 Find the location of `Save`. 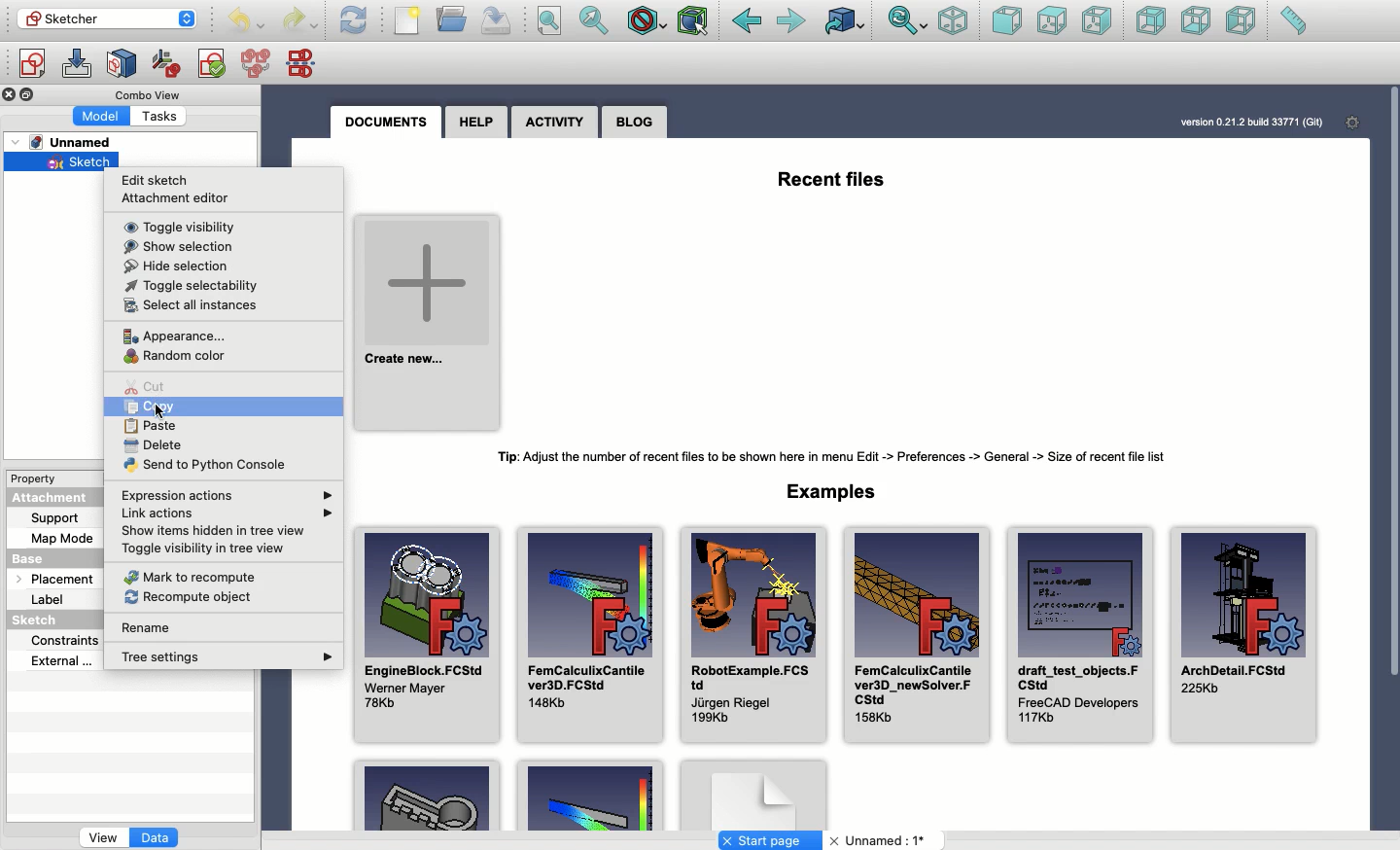

Save is located at coordinates (497, 21).